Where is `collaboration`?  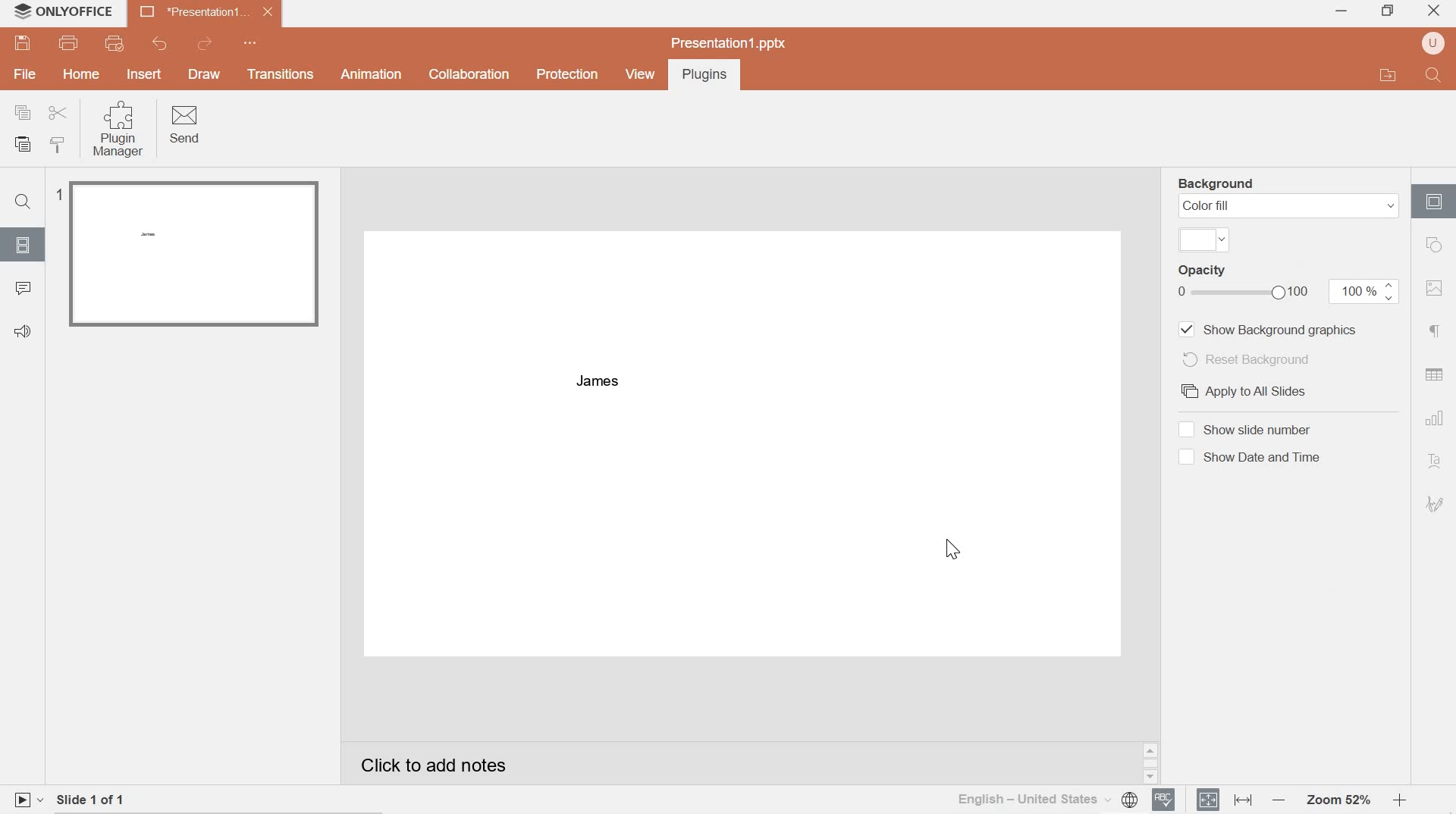 collaboration is located at coordinates (467, 75).